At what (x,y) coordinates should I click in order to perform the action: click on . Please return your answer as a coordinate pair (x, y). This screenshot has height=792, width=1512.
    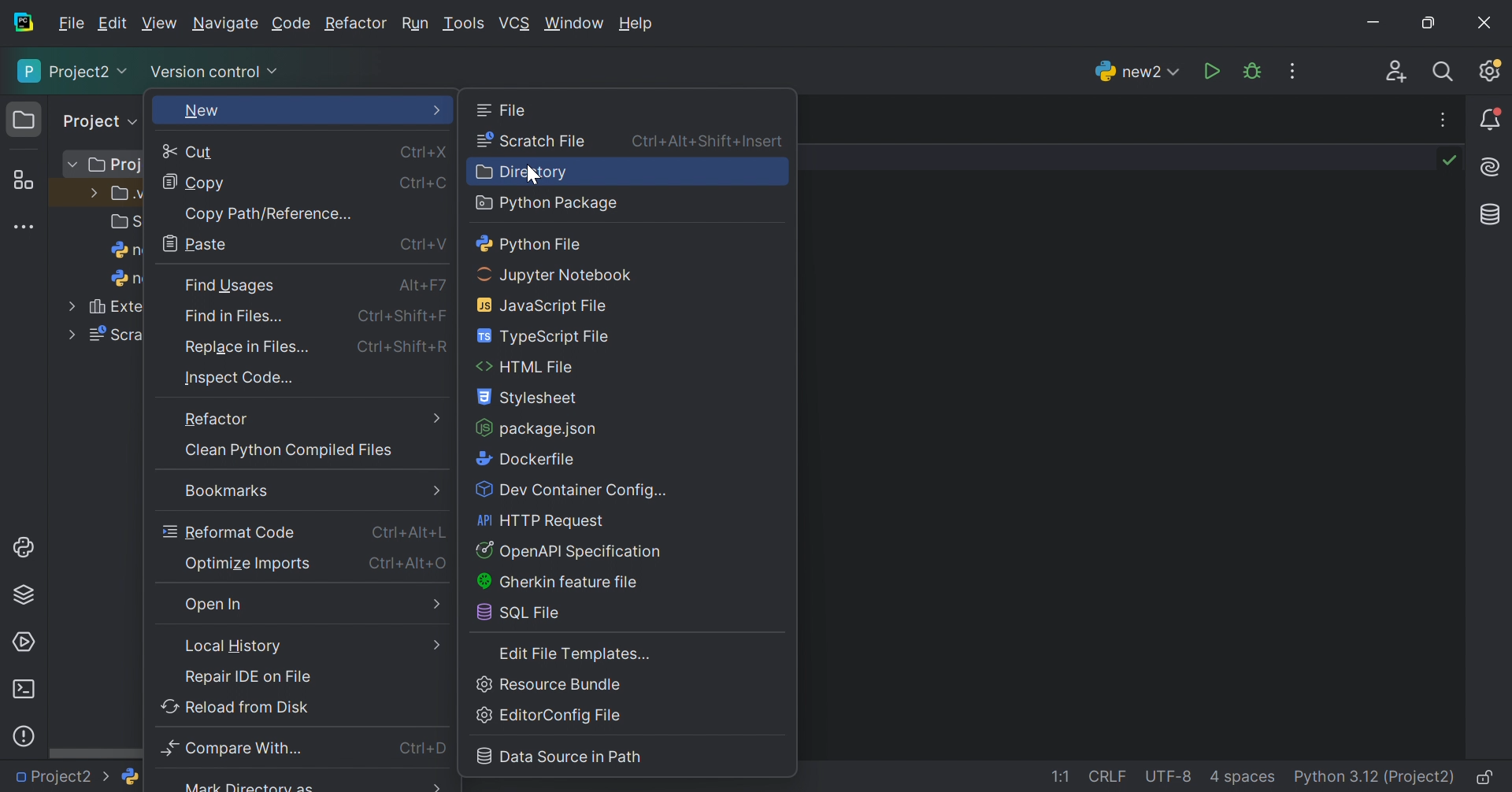
    Looking at the image, I should click on (434, 489).